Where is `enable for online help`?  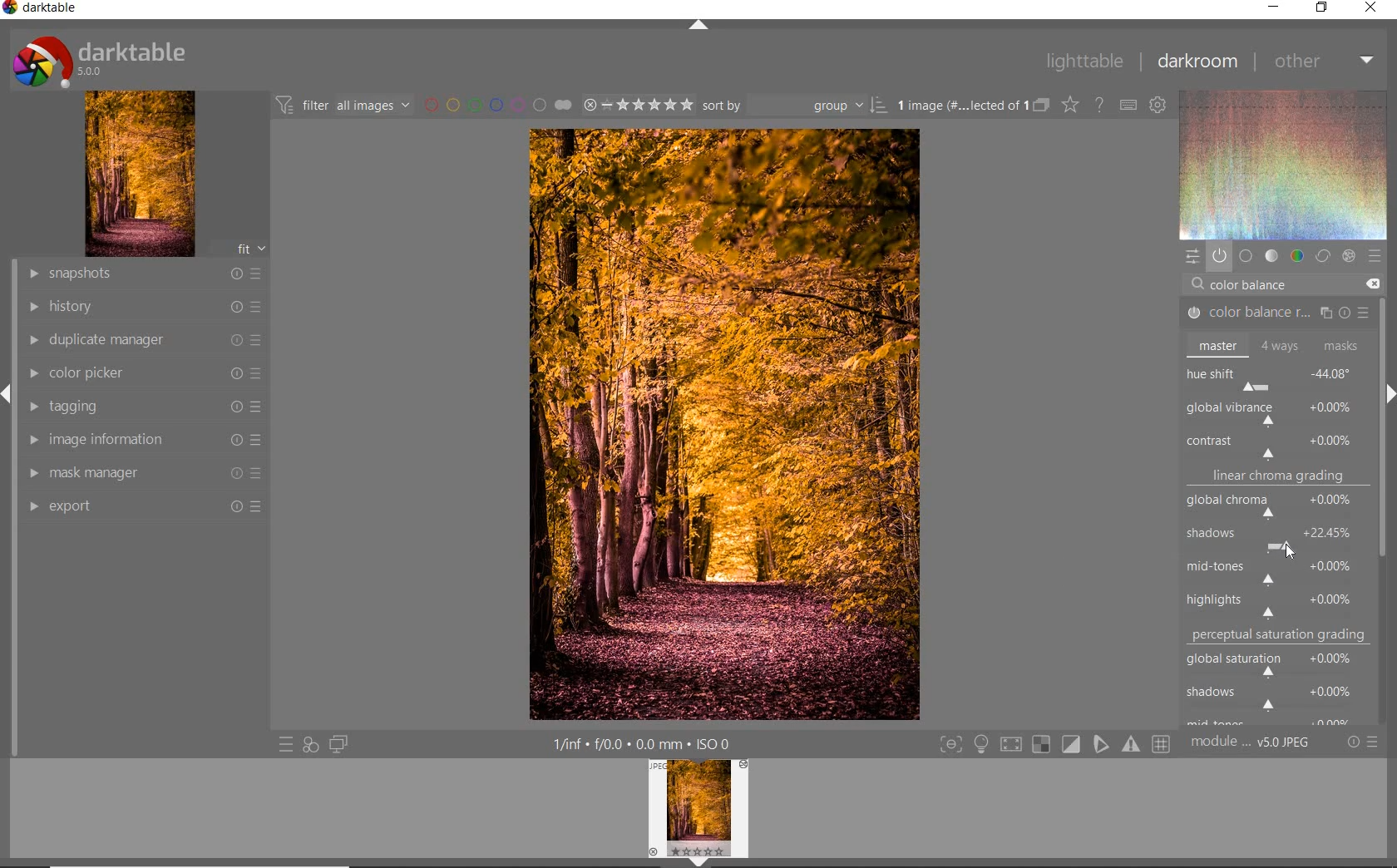
enable for online help is located at coordinates (1101, 105).